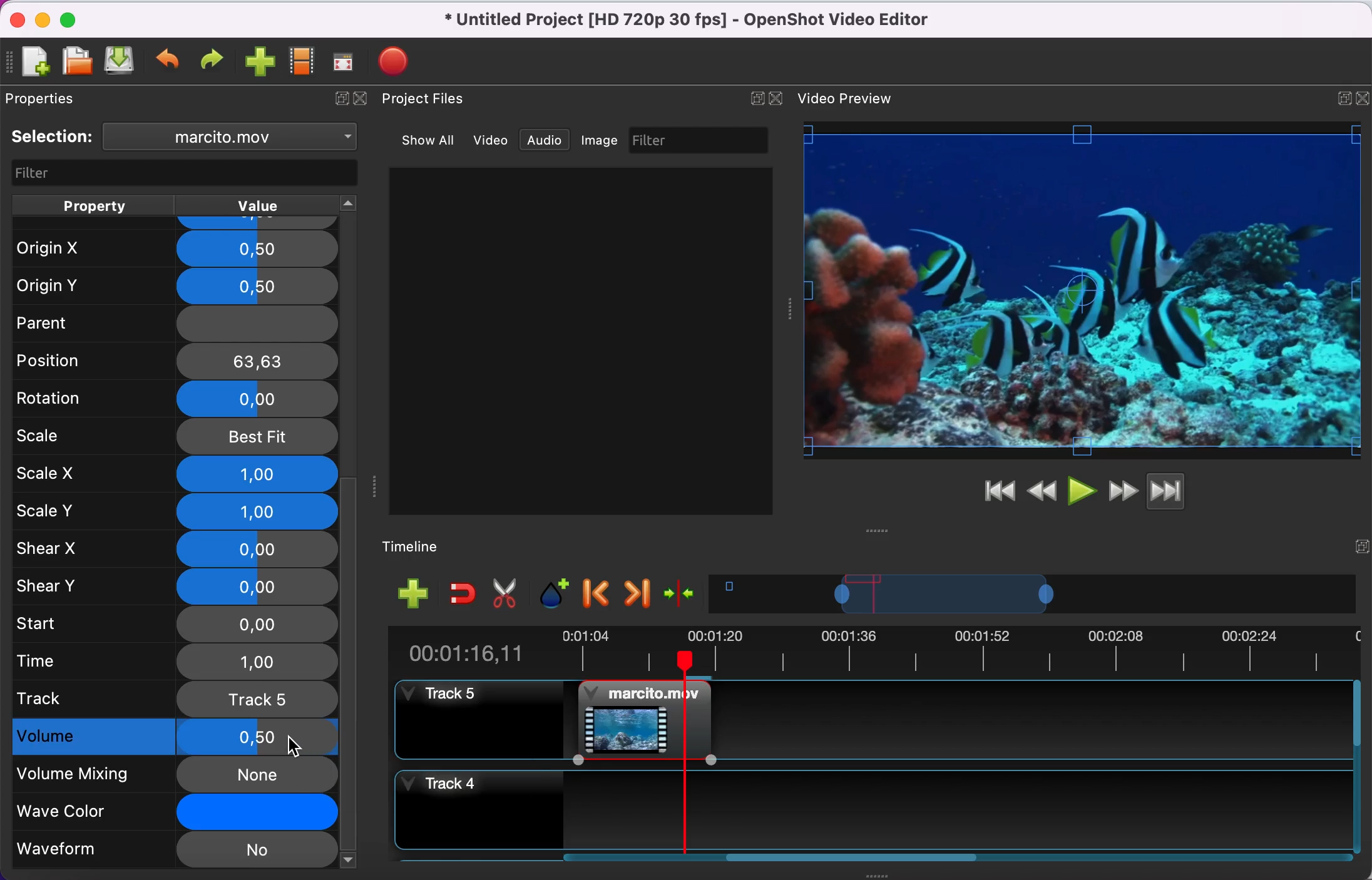 The height and width of the screenshot is (880, 1372). I want to click on video preview, so click(850, 100).